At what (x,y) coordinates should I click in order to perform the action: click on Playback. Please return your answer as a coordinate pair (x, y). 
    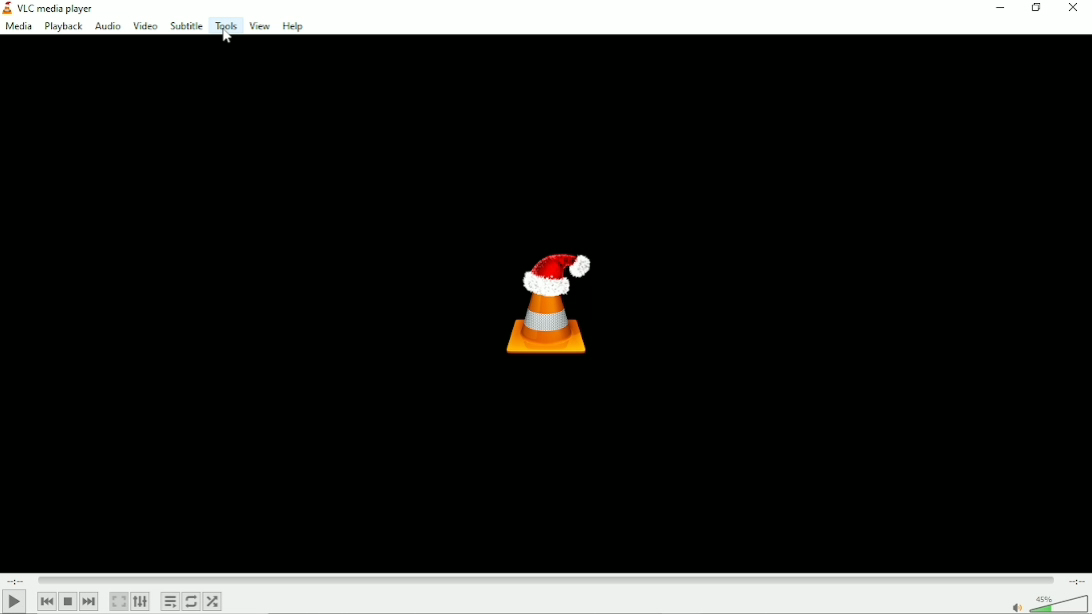
    Looking at the image, I should click on (63, 27).